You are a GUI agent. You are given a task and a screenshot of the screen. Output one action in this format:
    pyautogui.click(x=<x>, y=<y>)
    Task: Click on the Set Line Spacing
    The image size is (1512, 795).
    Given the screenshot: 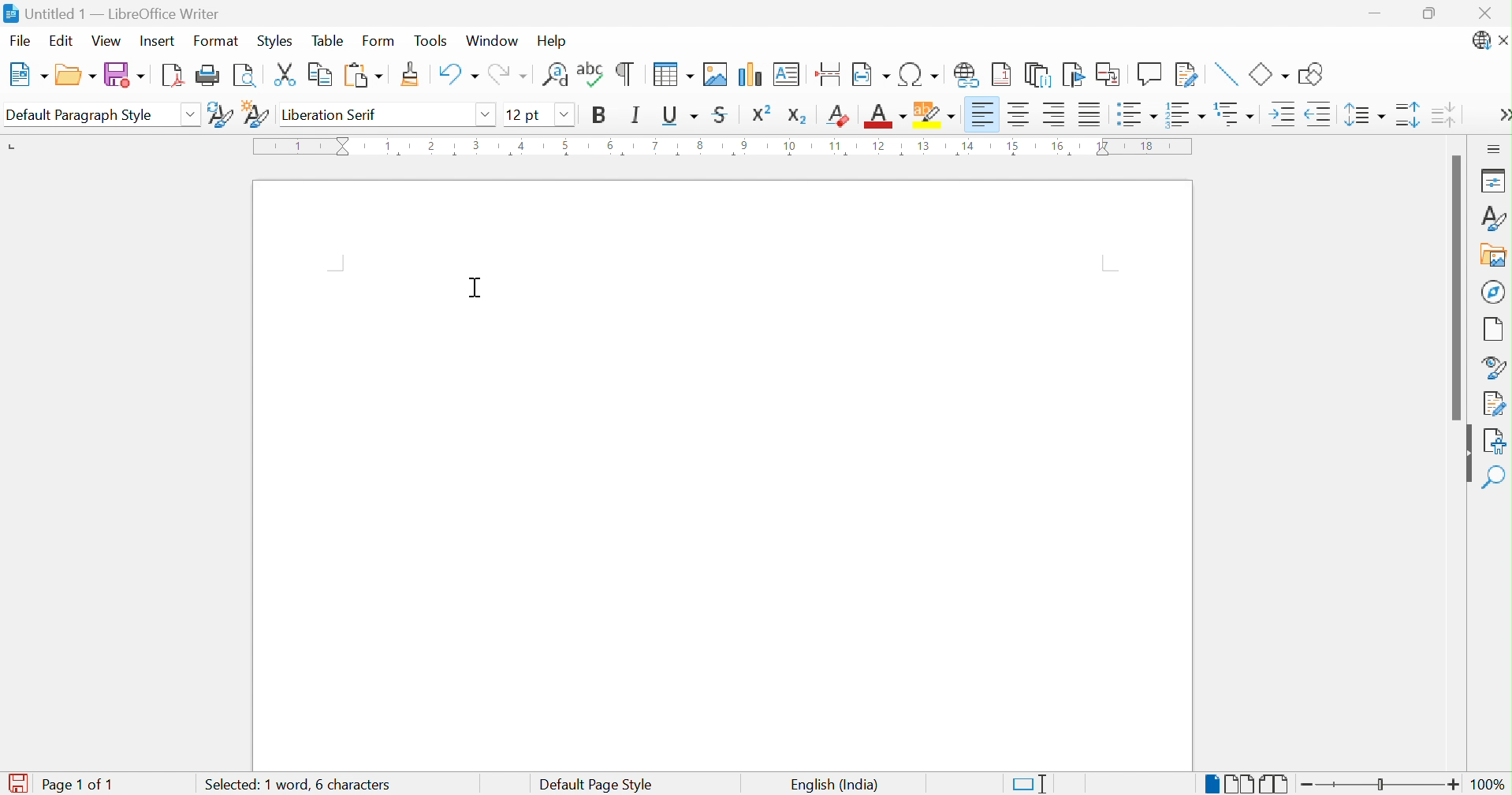 What is the action you would take?
    pyautogui.click(x=1364, y=117)
    